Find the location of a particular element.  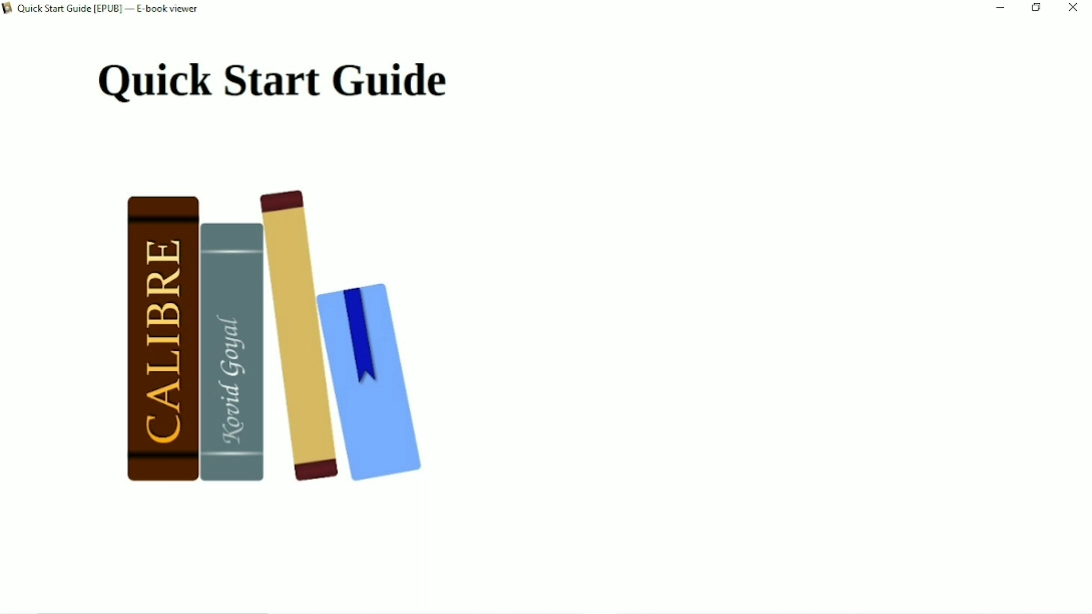

Book name is located at coordinates (111, 10).